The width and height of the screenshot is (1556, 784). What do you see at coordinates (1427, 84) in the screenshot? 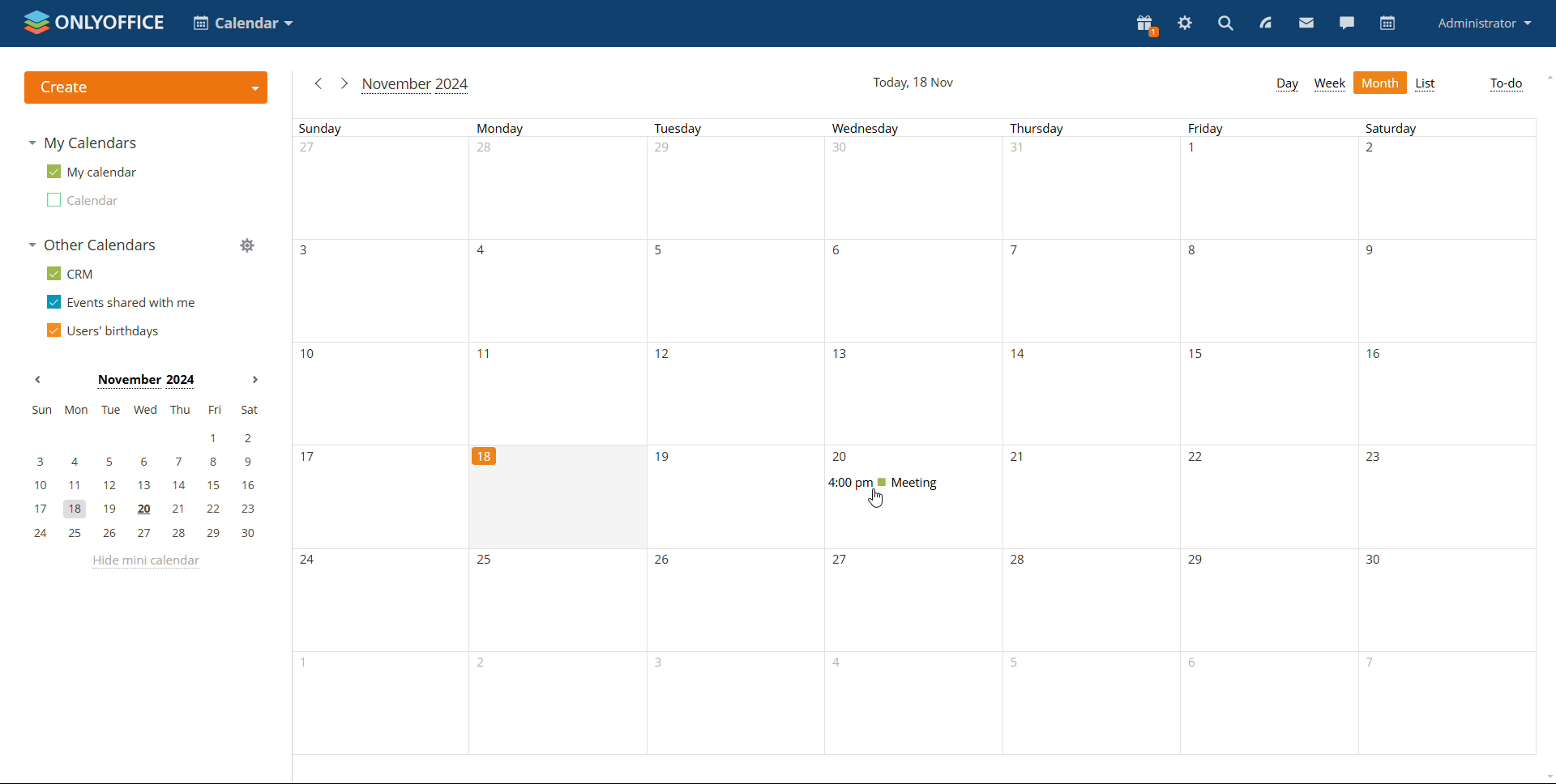
I see `list view` at bounding box center [1427, 84].